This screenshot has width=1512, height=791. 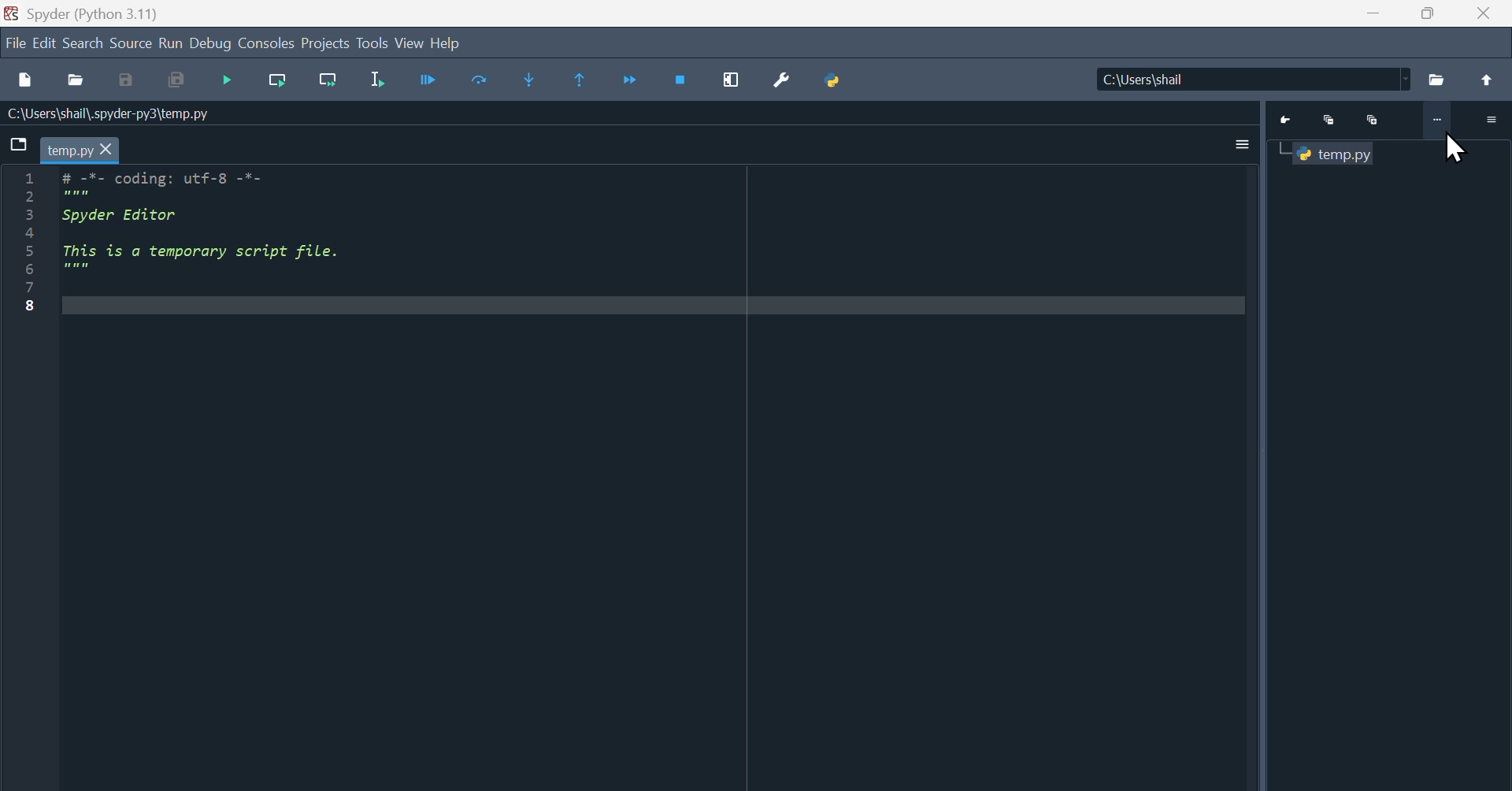 What do you see at coordinates (409, 43) in the screenshot?
I see `View` at bounding box center [409, 43].